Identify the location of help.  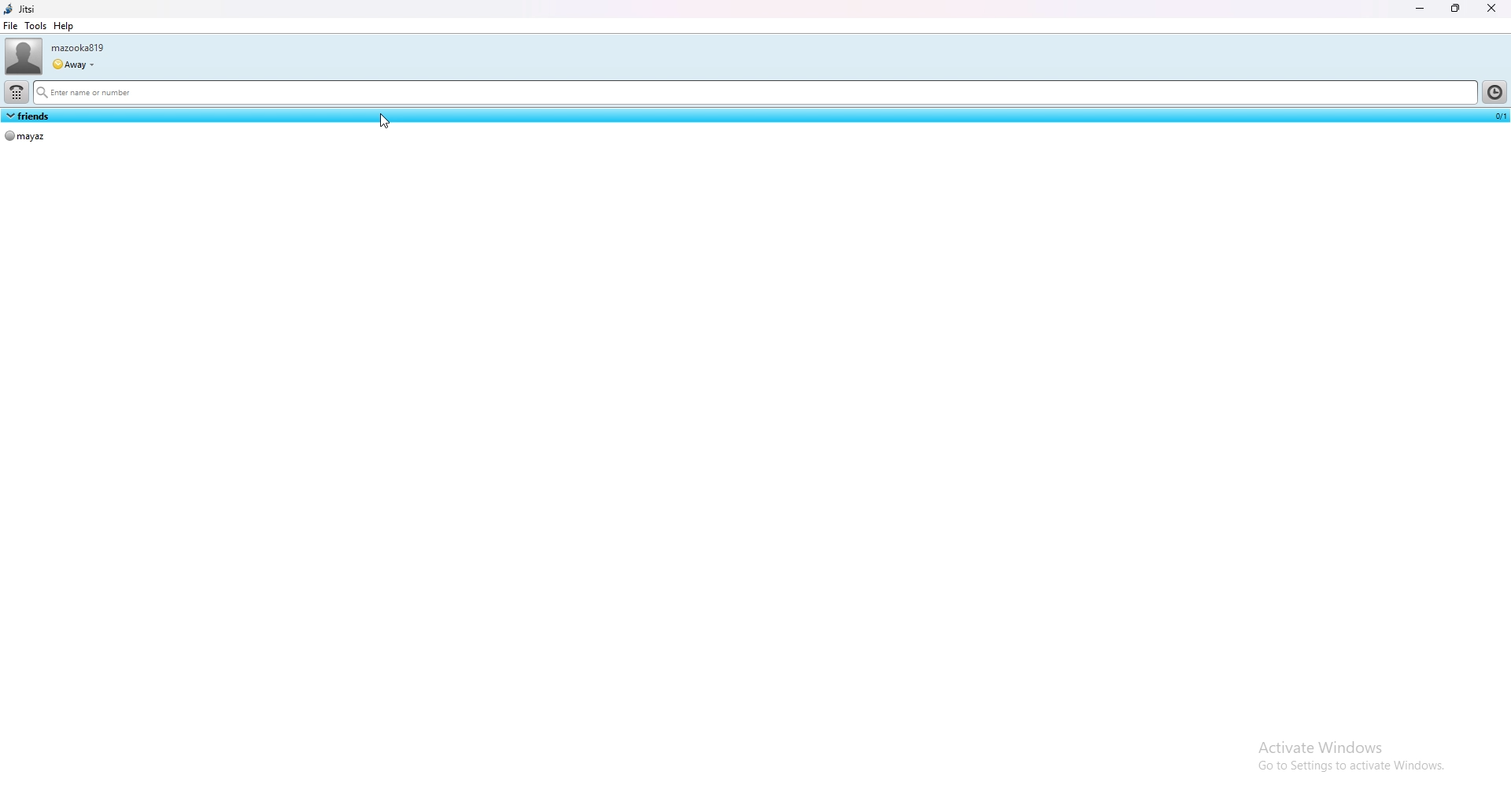
(63, 26).